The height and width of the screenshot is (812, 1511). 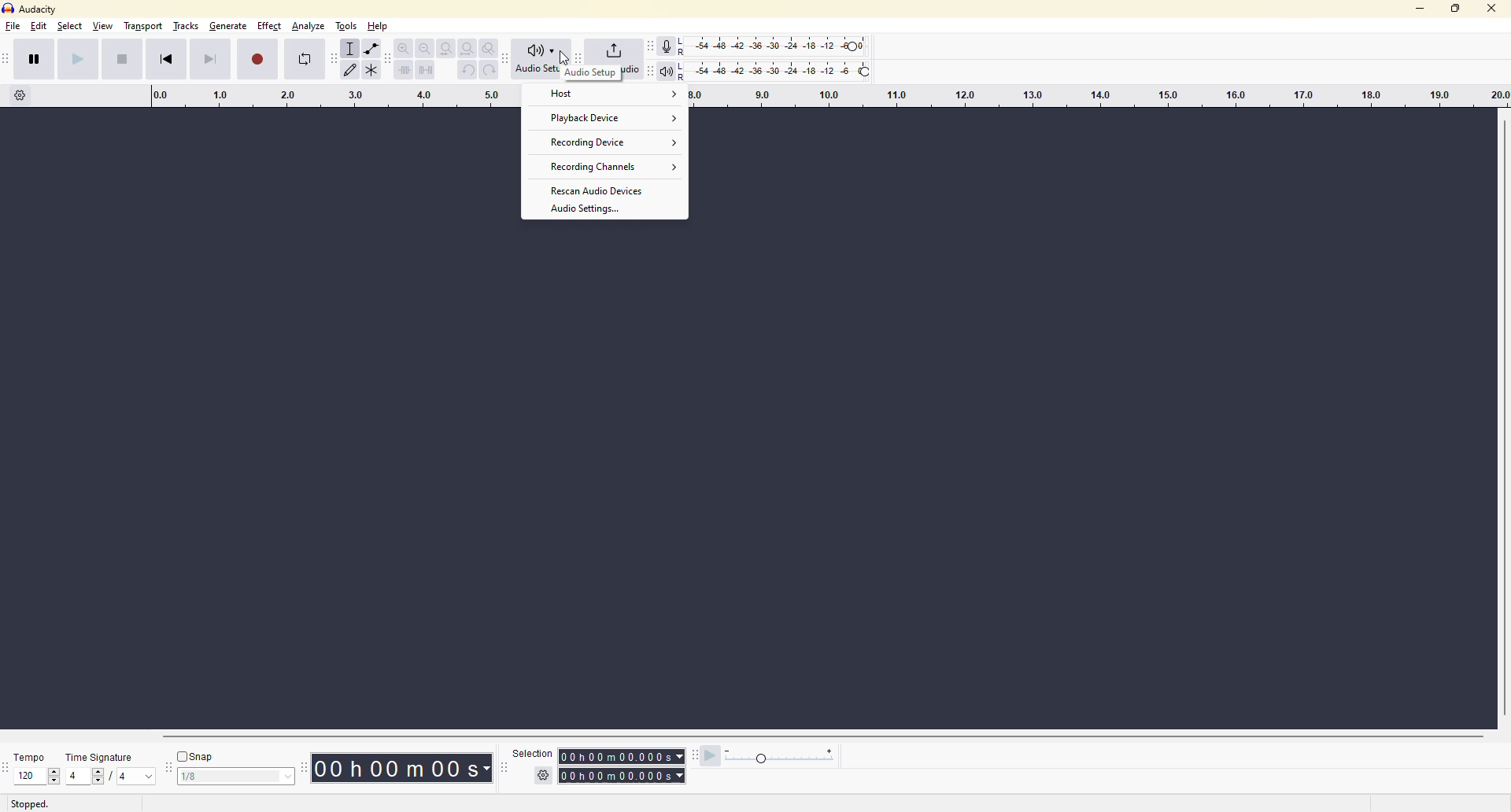 What do you see at coordinates (368, 26) in the screenshot?
I see `help` at bounding box center [368, 26].